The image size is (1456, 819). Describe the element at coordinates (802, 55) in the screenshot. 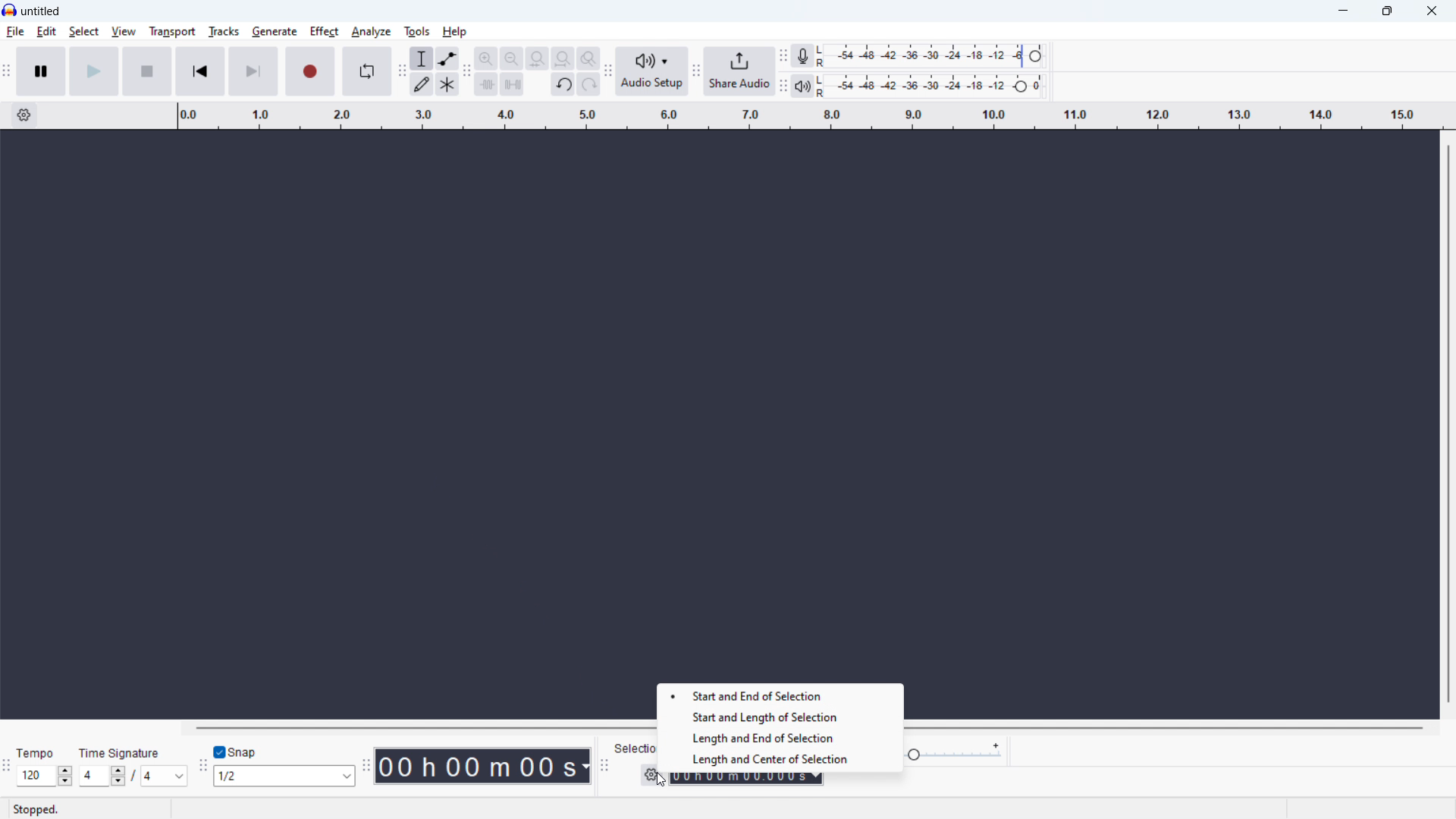

I see `recording meter` at that location.